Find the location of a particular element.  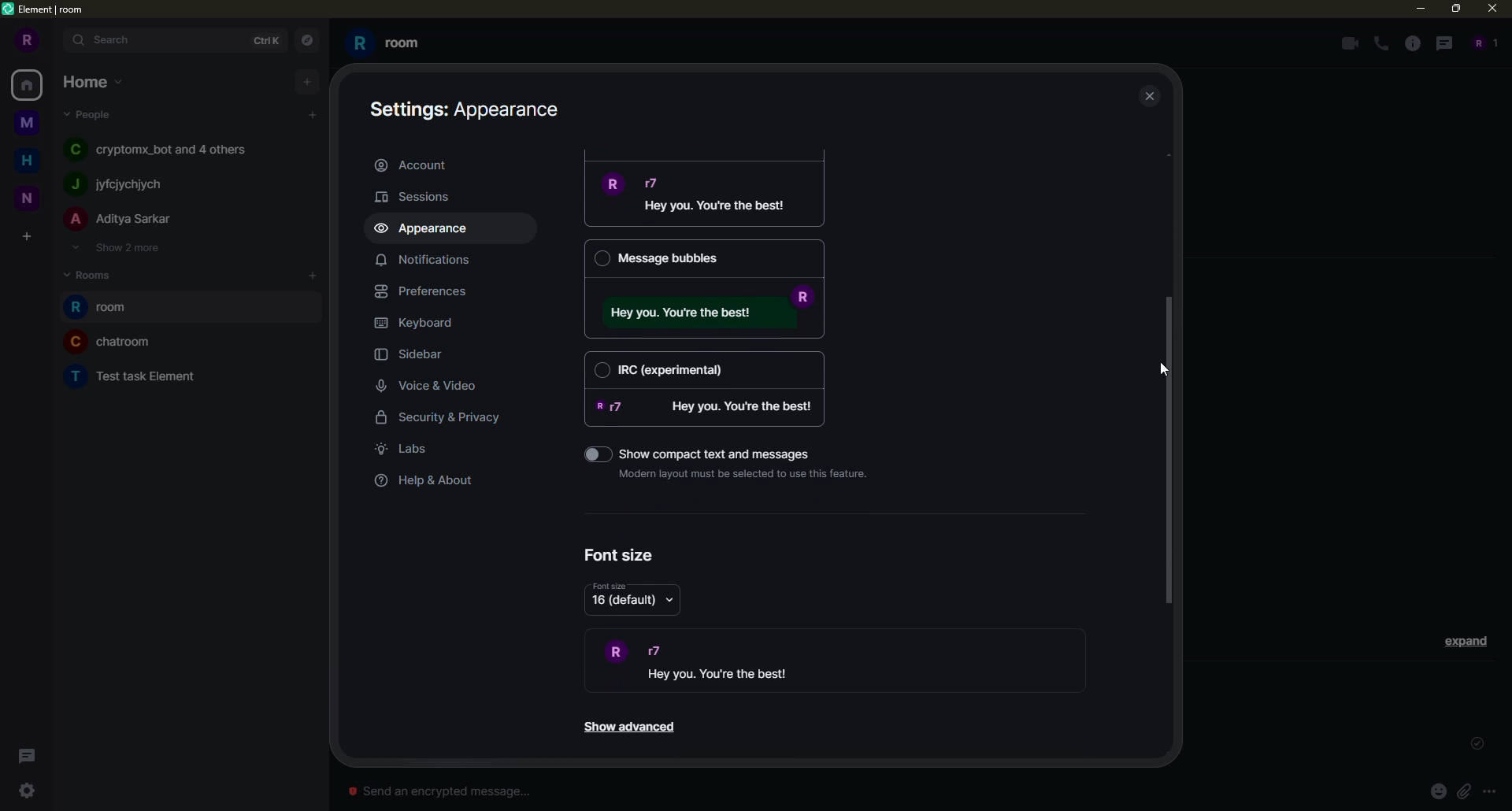

attach is located at coordinates (1463, 791).